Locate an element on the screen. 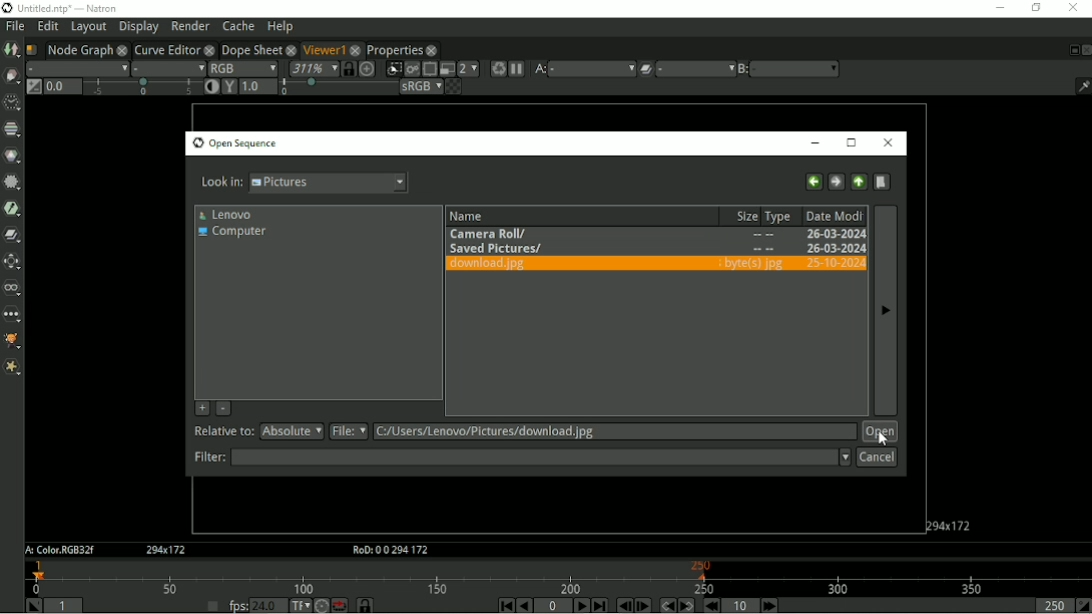  Close is located at coordinates (885, 142).